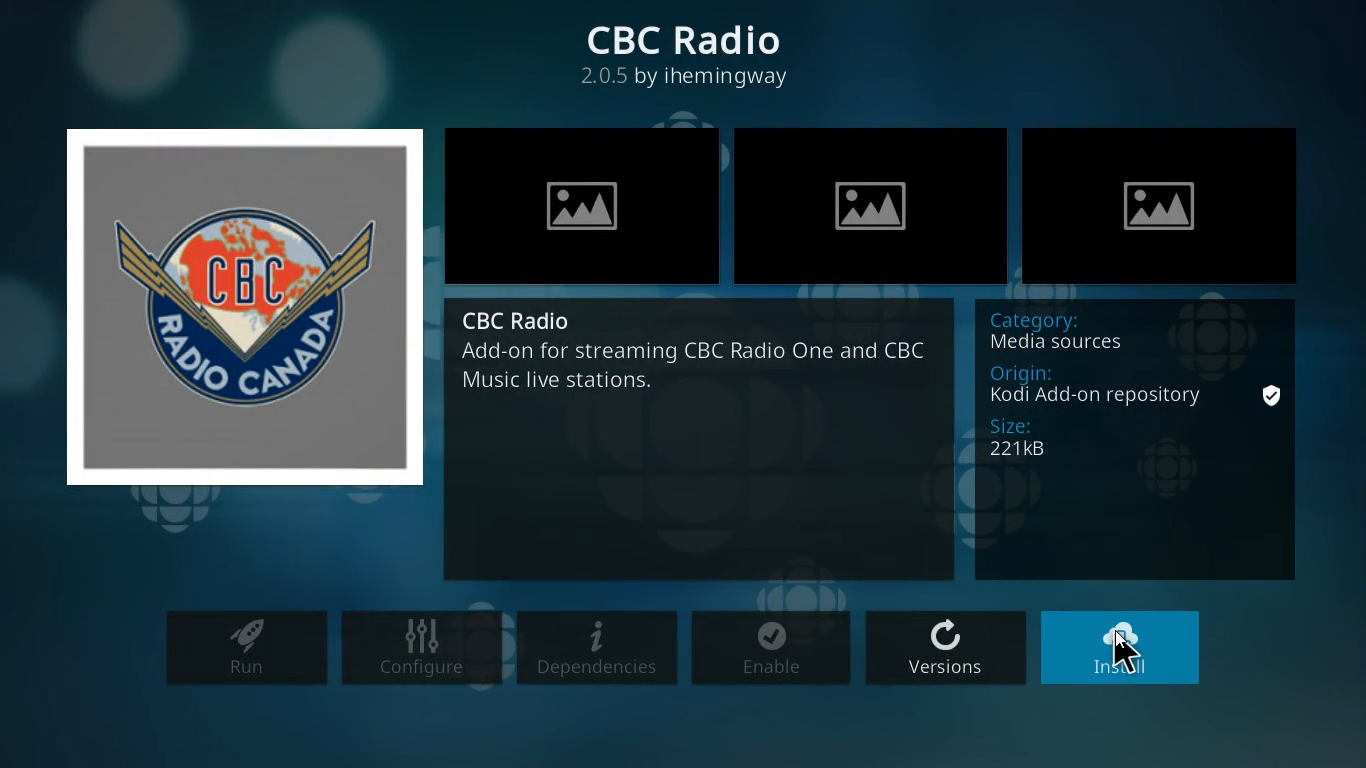 This screenshot has height=768, width=1366. What do you see at coordinates (1168, 200) in the screenshot?
I see `pictures` at bounding box center [1168, 200].